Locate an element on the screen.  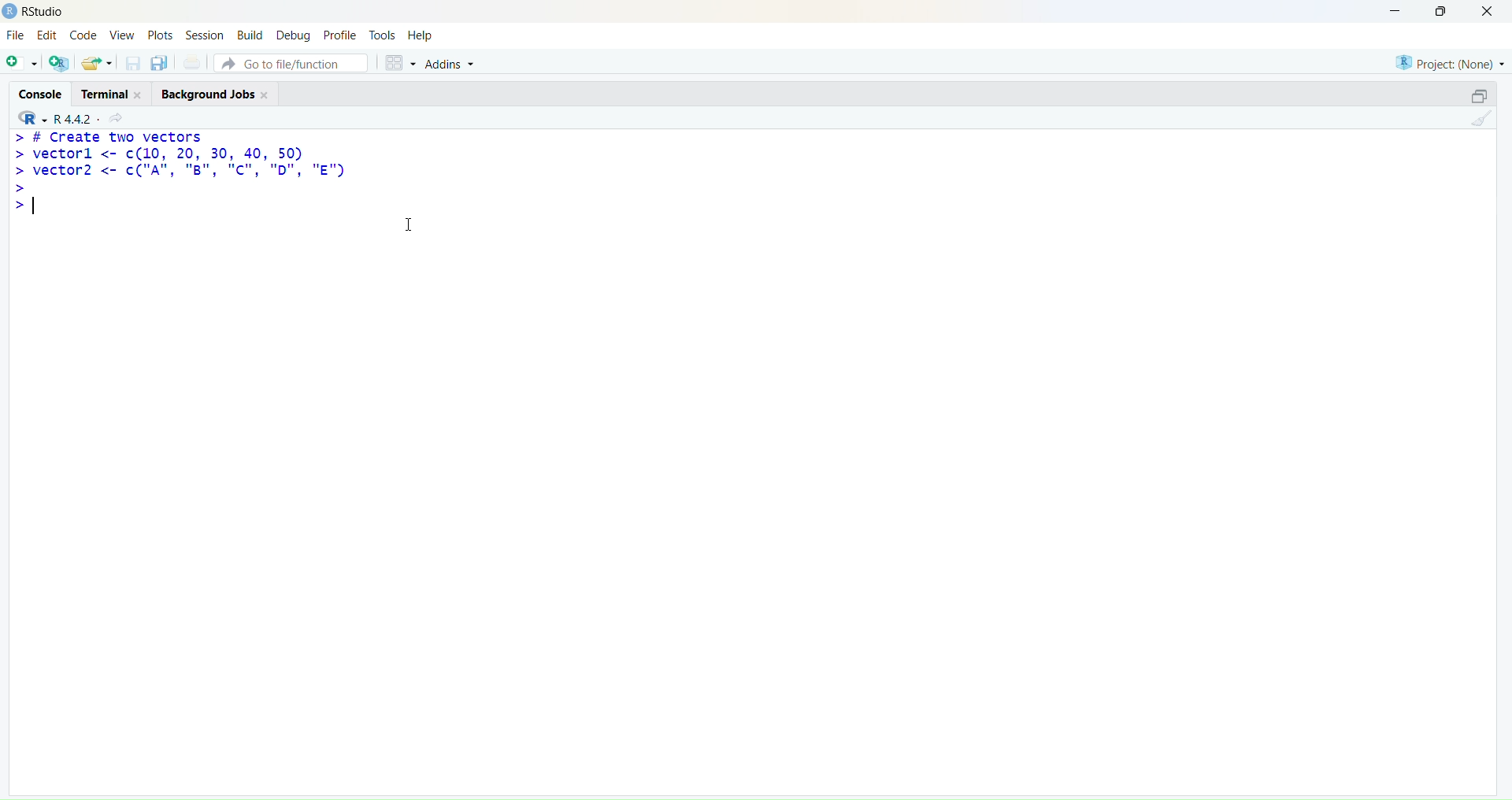
Session is located at coordinates (203, 34).